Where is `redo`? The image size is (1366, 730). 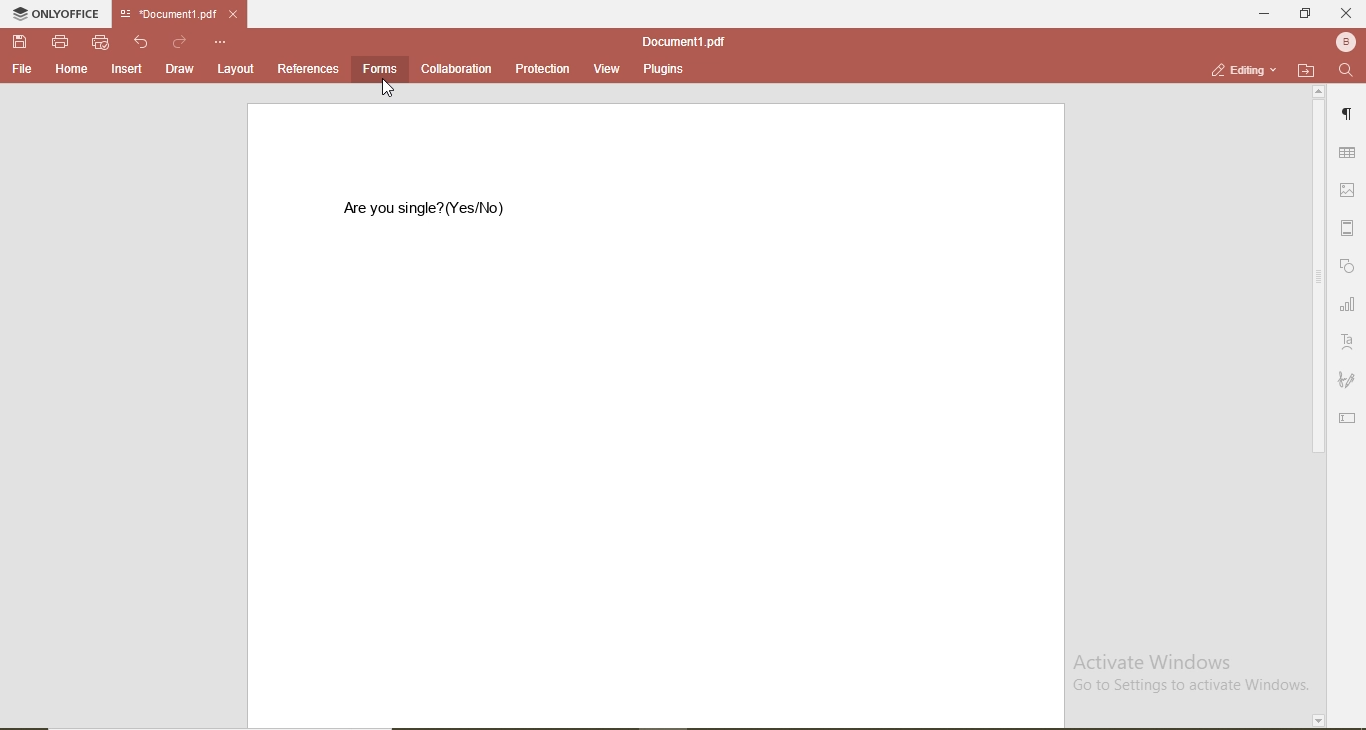 redo is located at coordinates (180, 43).